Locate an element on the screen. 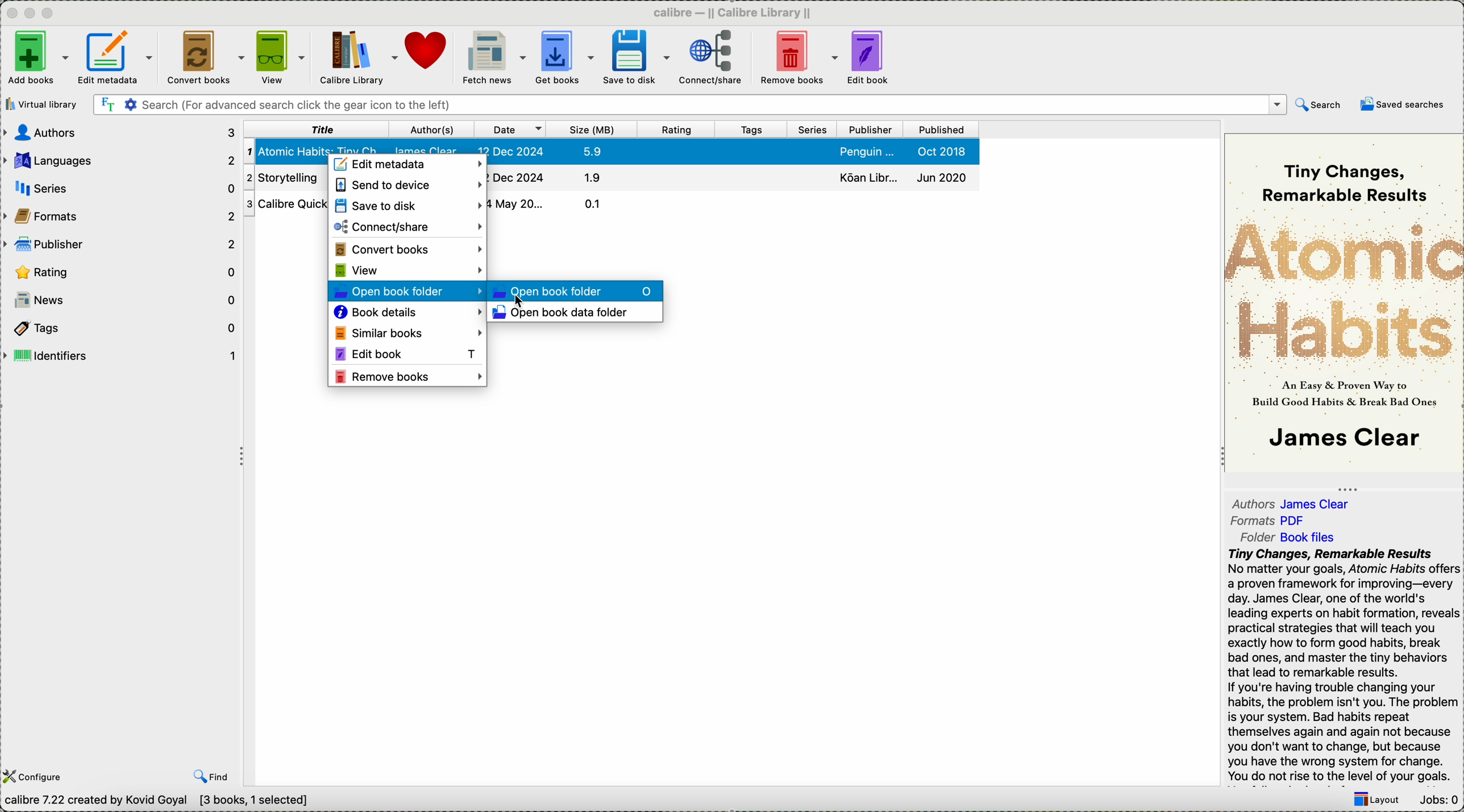 This screenshot has width=1464, height=812. title is located at coordinates (315, 129).